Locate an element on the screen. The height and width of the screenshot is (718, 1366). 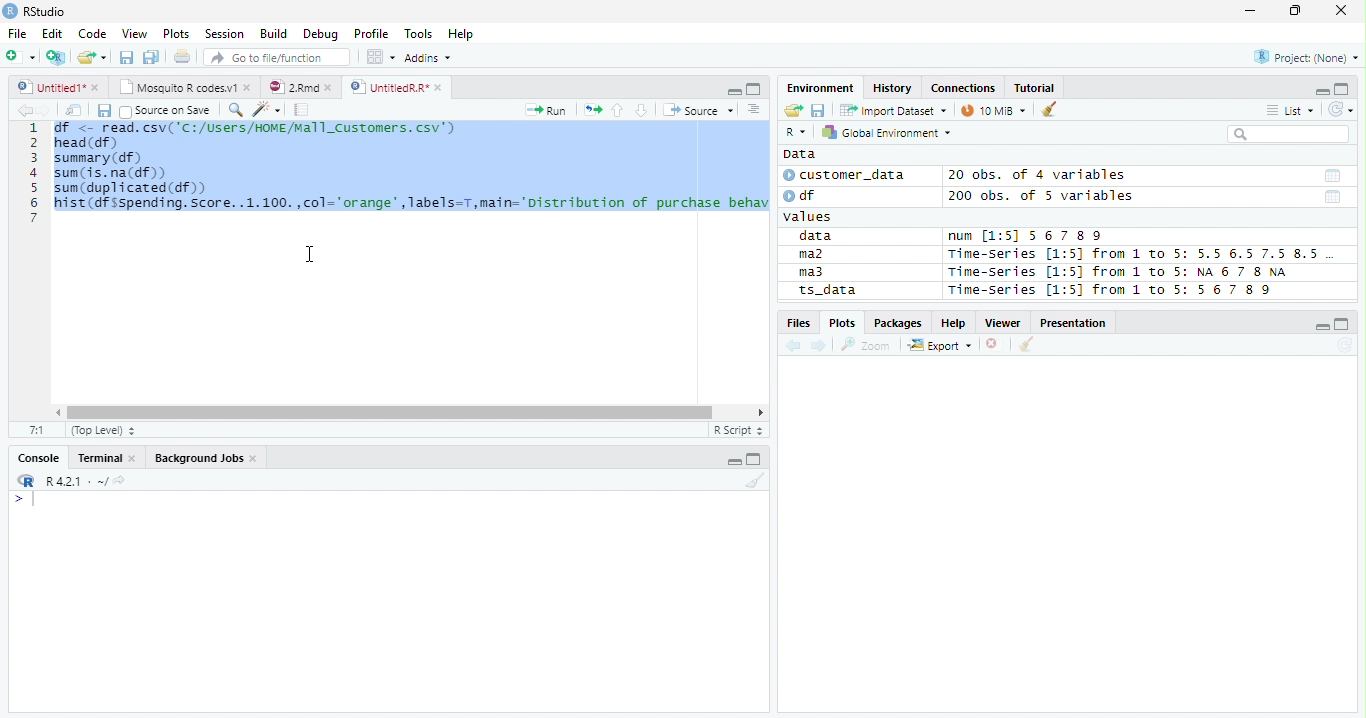
Plots is located at coordinates (176, 34).